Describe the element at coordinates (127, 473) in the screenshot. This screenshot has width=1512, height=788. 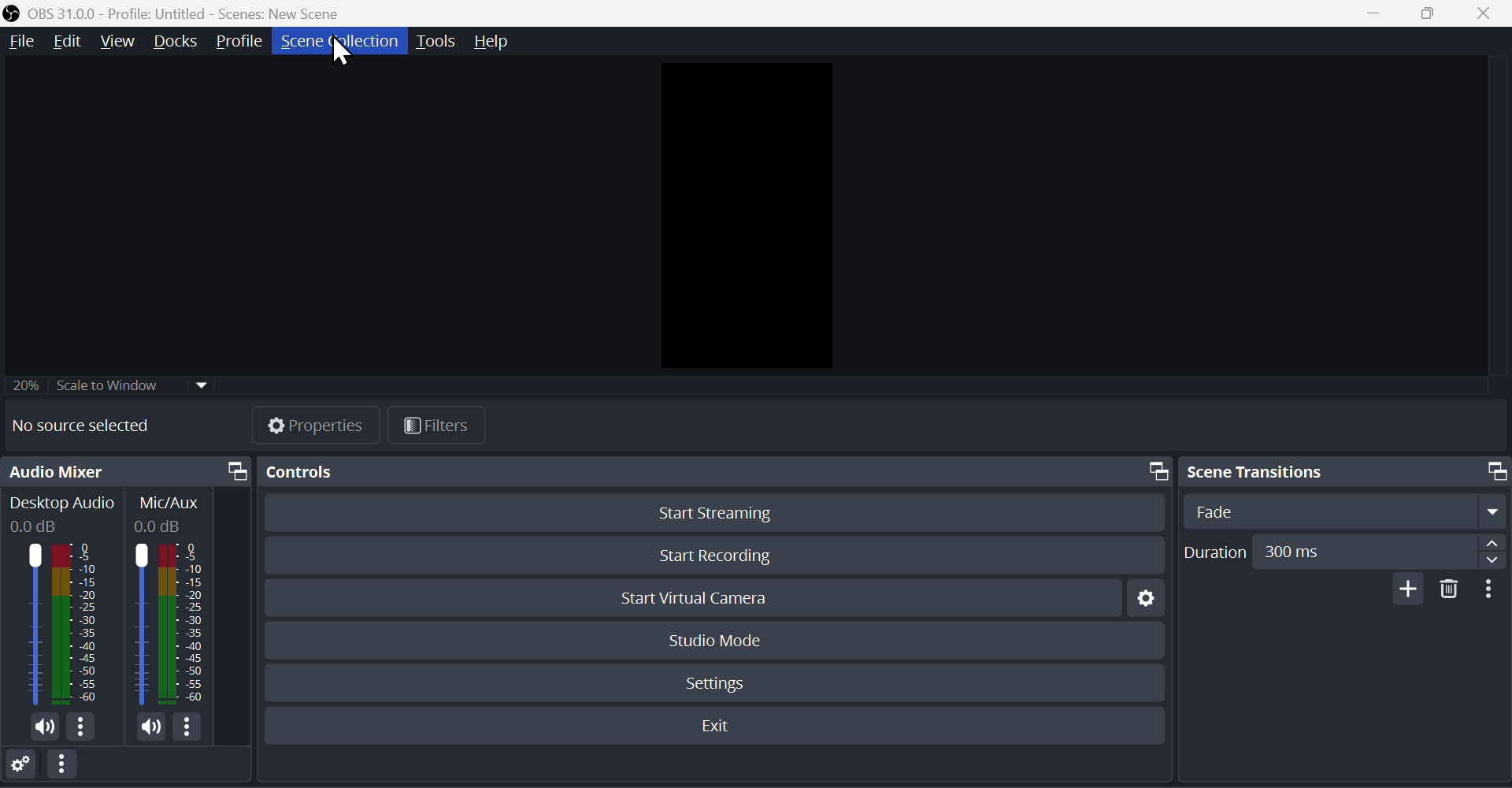
I see `Audio mixer` at that location.